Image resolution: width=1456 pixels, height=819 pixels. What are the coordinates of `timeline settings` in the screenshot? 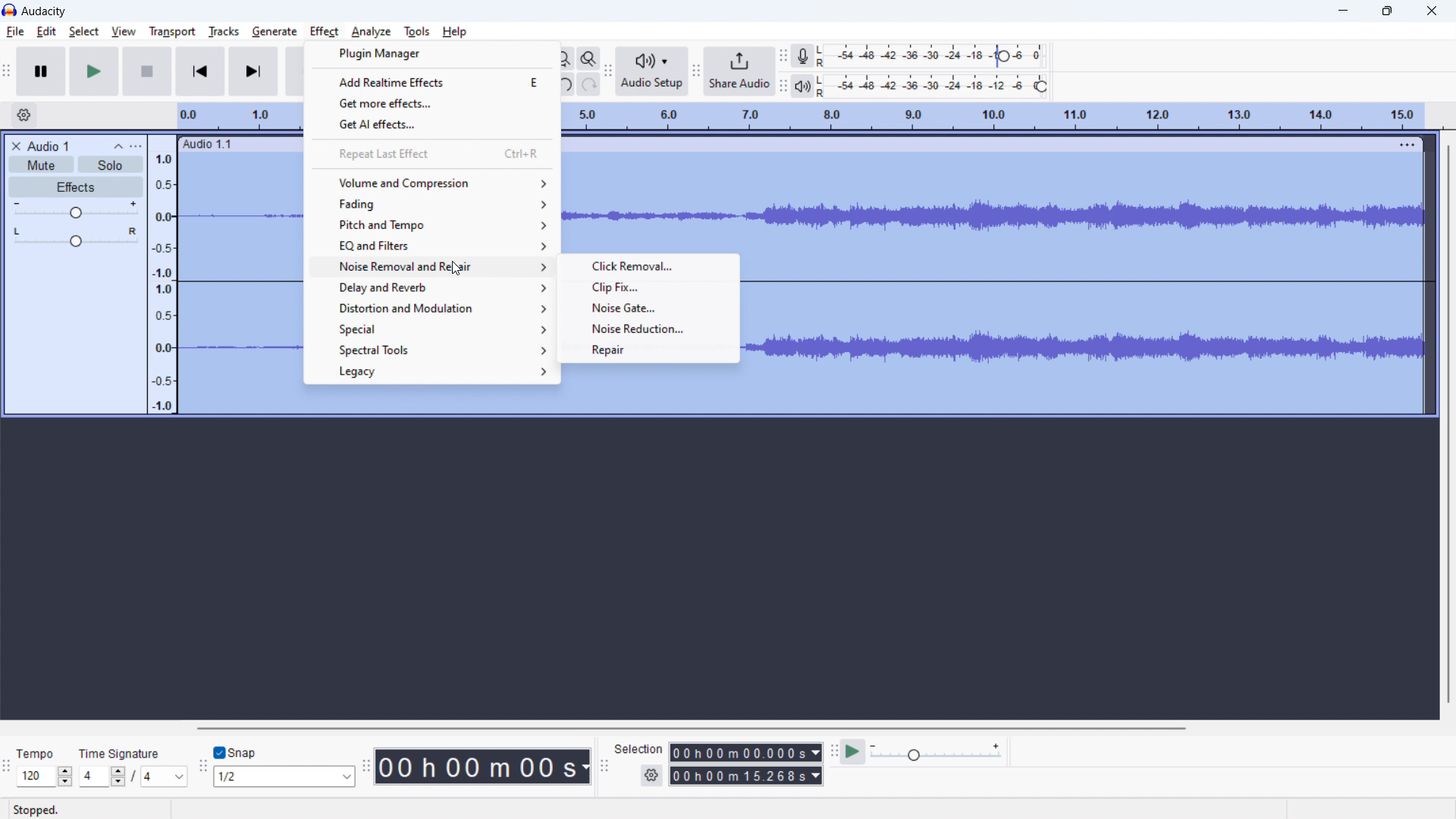 It's located at (24, 115).